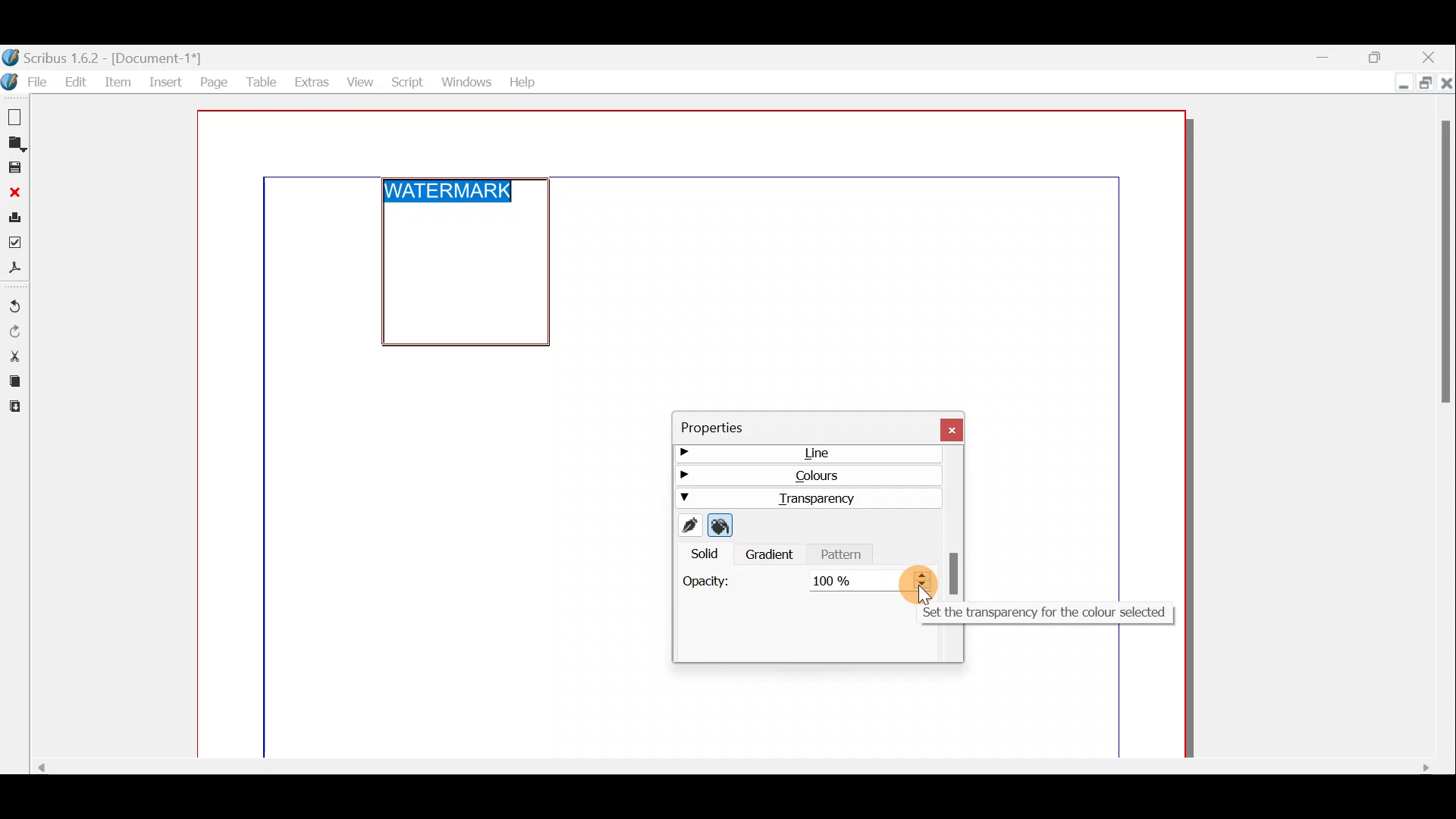 Image resolution: width=1456 pixels, height=819 pixels. I want to click on Open, so click(14, 145).